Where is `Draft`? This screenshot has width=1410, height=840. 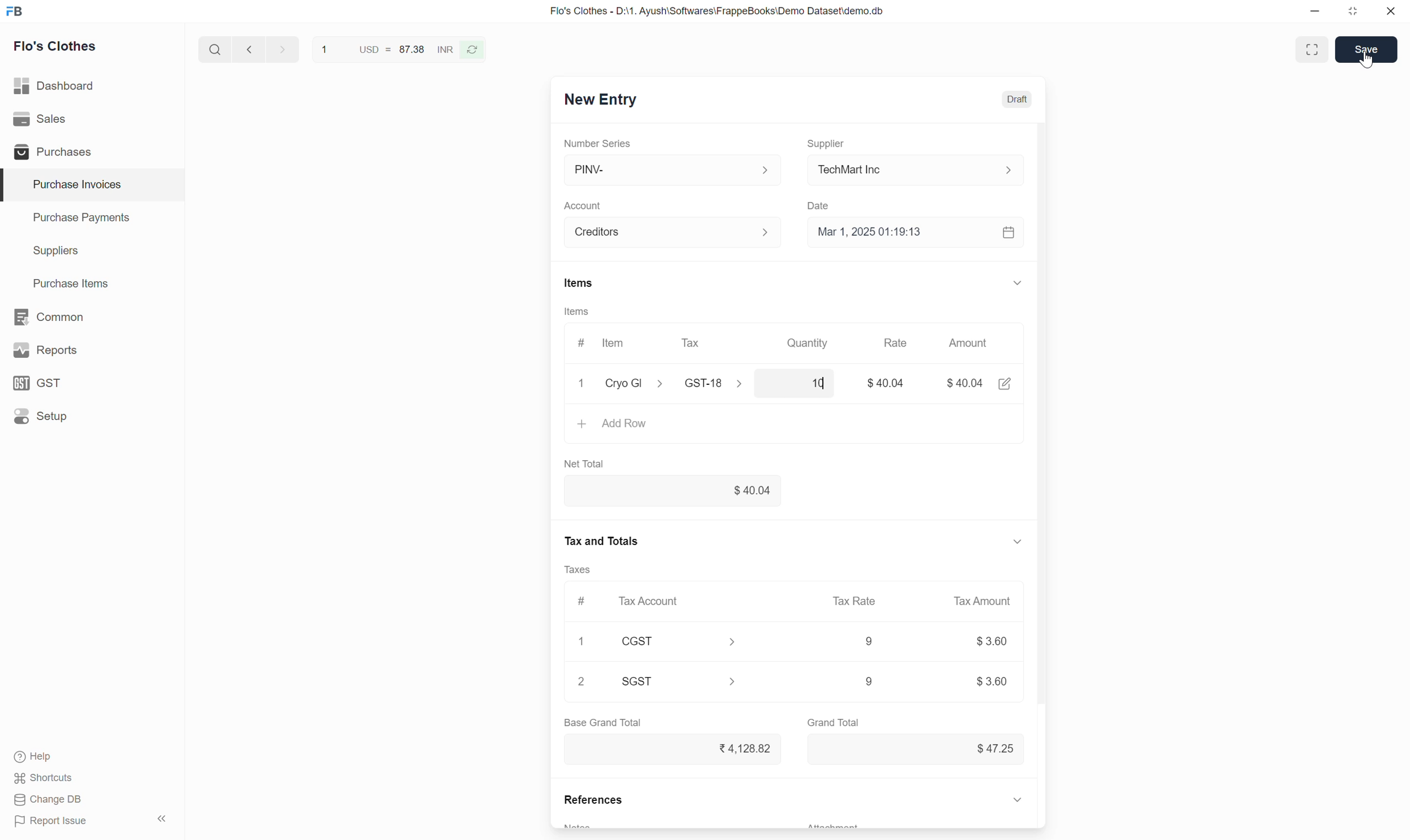 Draft is located at coordinates (1018, 100).